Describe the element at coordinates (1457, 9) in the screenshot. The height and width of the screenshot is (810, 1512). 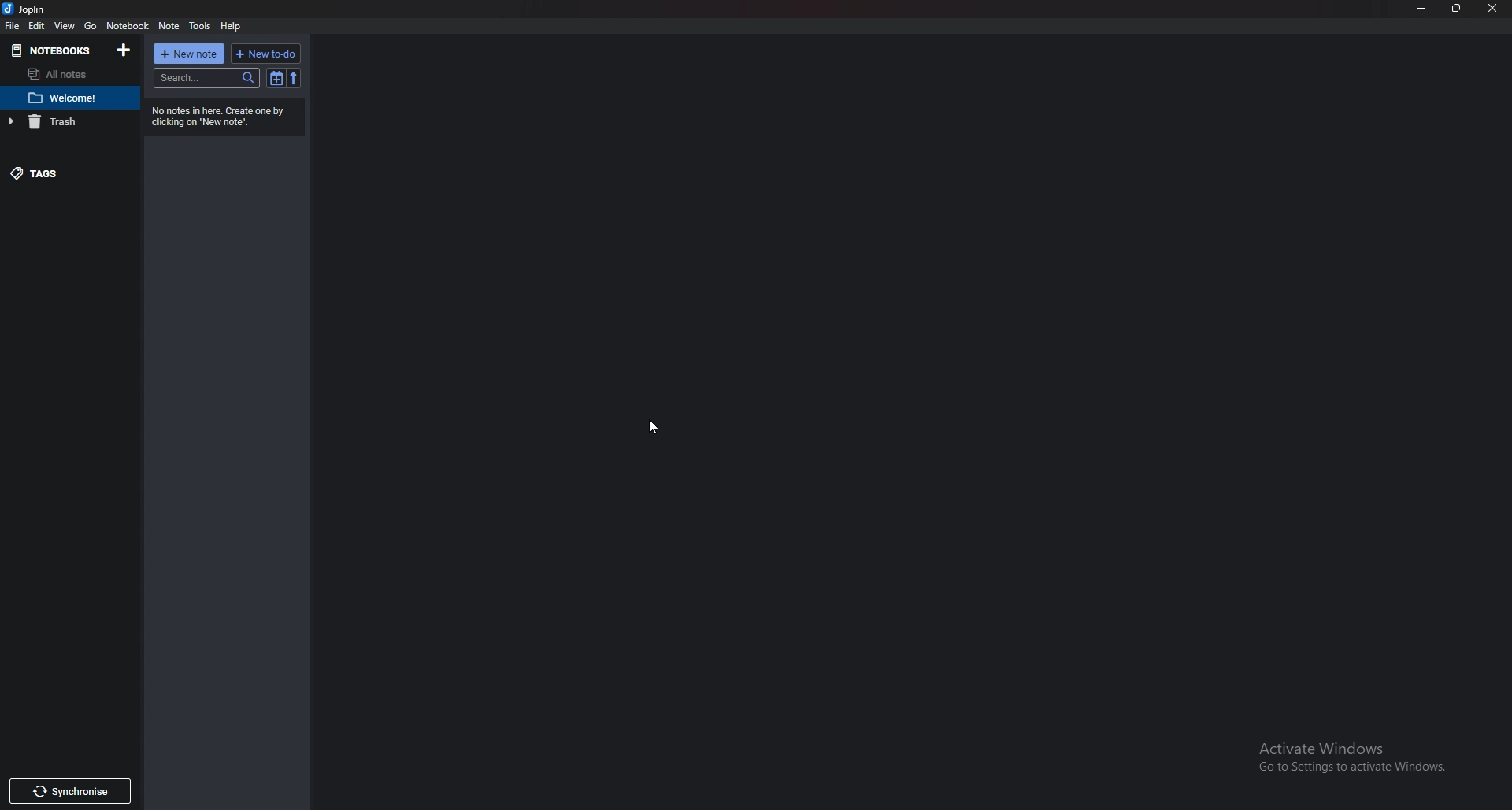
I see `resize` at that location.